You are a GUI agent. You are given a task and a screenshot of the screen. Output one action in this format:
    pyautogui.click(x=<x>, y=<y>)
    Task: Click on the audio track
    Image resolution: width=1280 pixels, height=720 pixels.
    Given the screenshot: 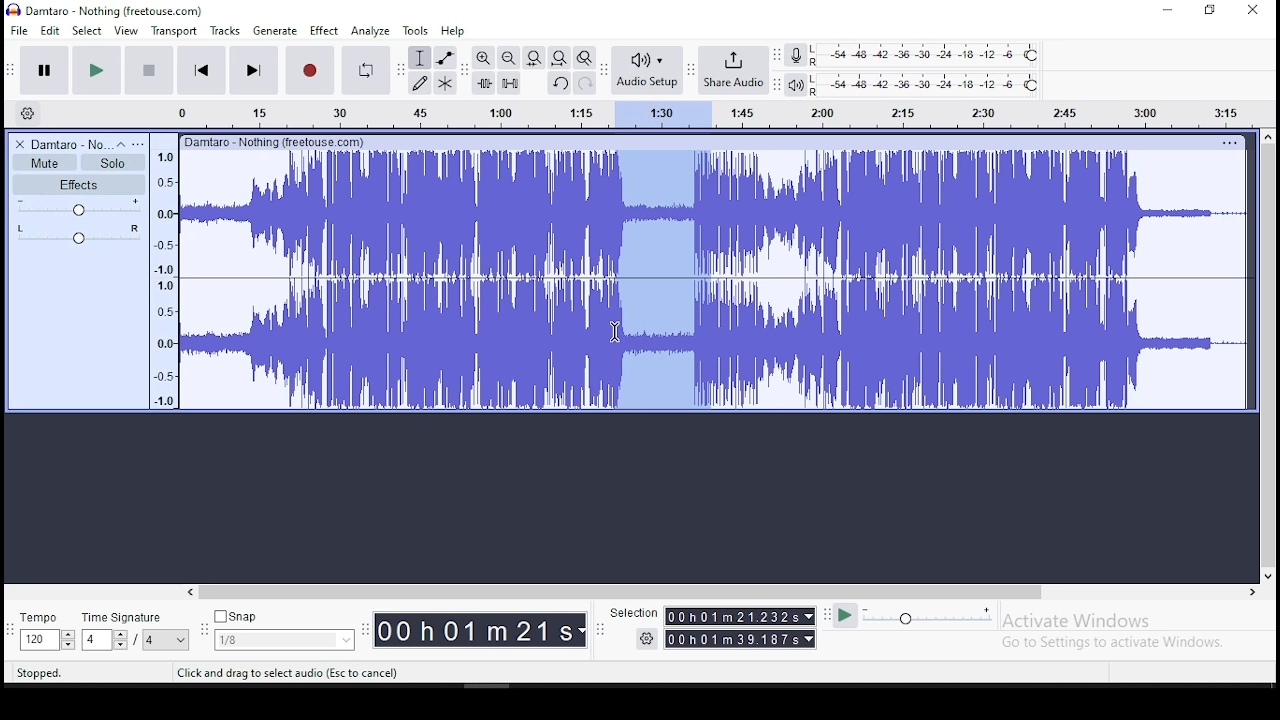 What is the action you would take?
    pyautogui.click(x=714, y=213)
    